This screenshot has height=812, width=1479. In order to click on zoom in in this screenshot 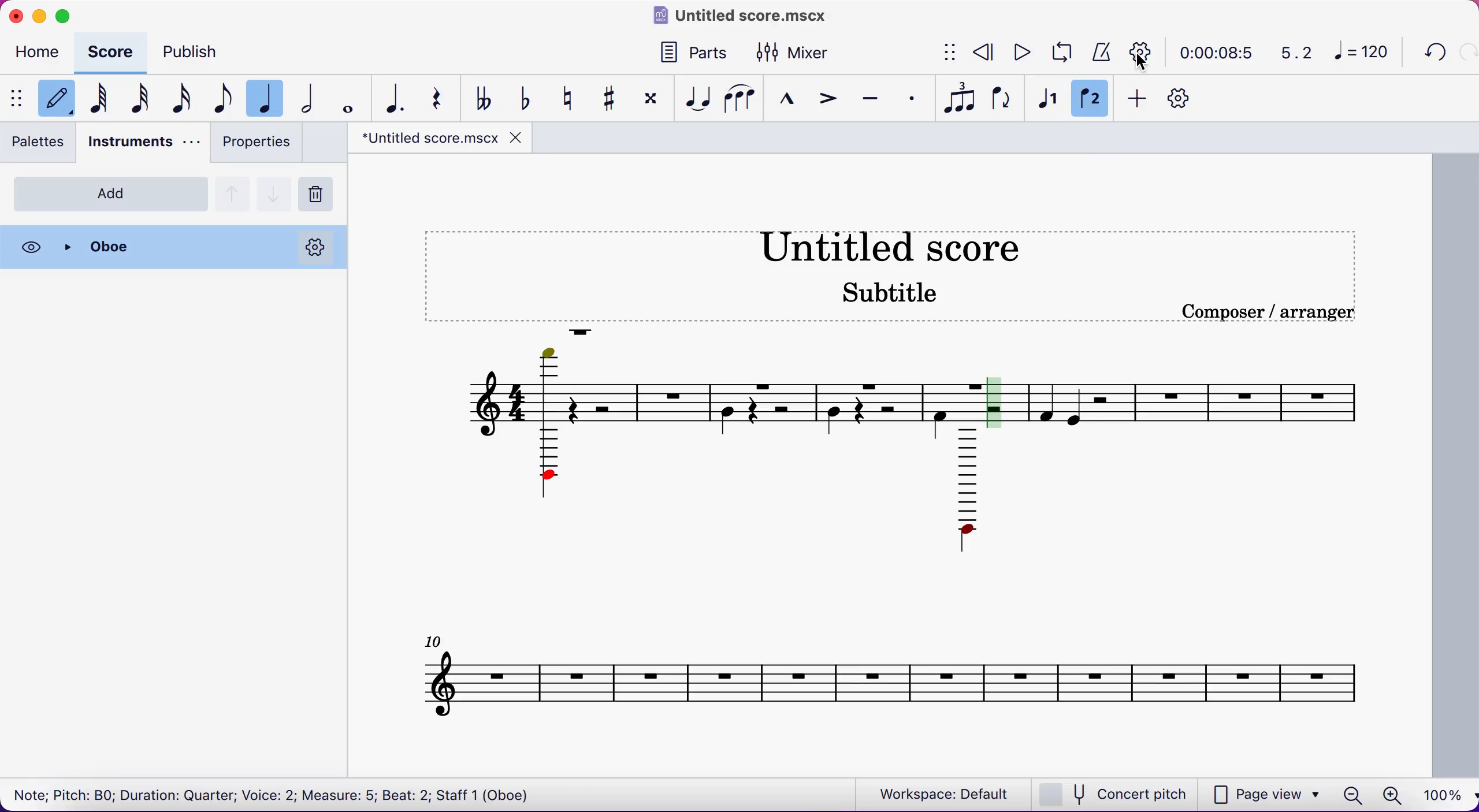, I will do `click(1391, 792)`.